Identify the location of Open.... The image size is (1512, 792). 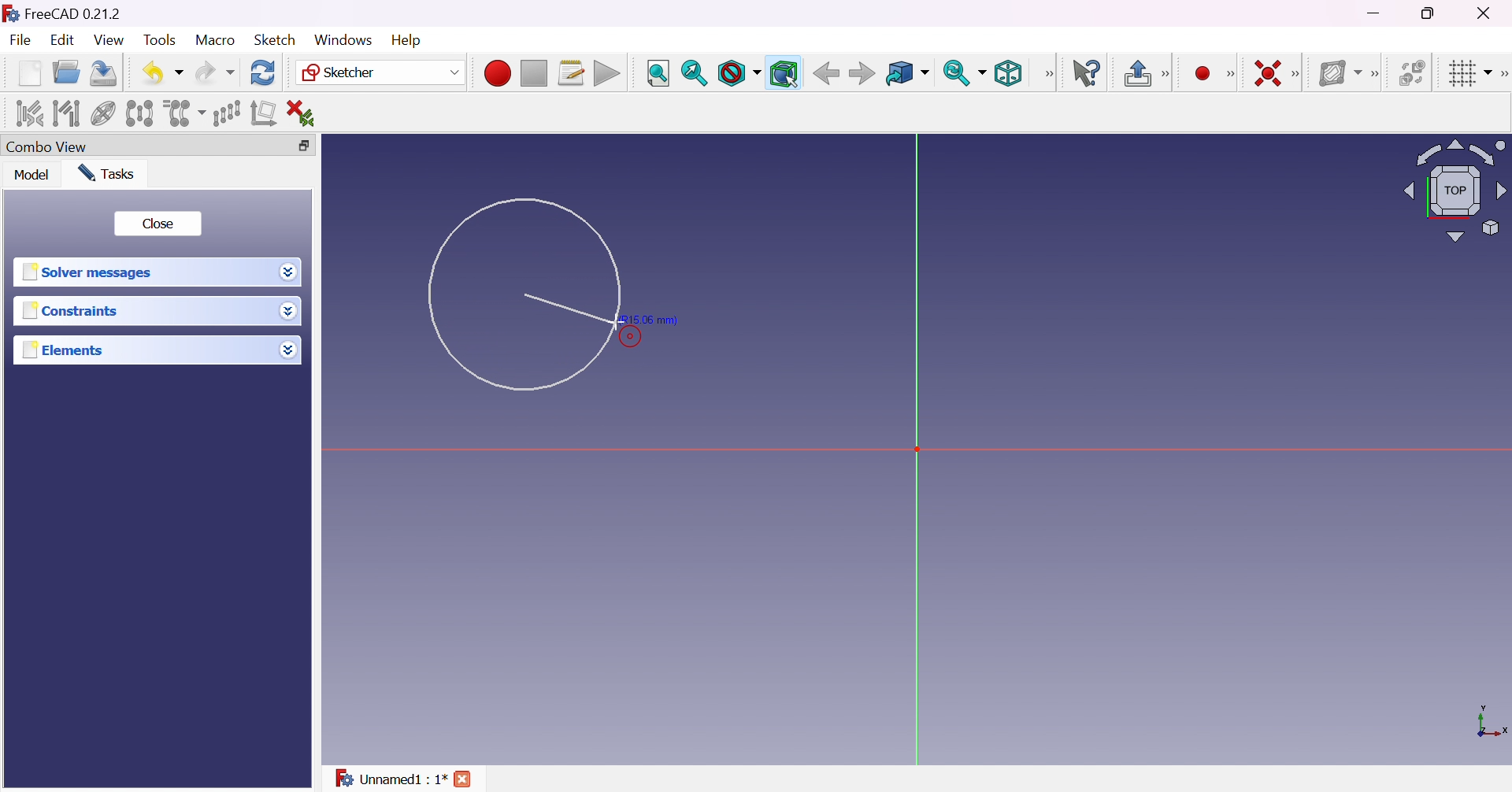
(65, 73).